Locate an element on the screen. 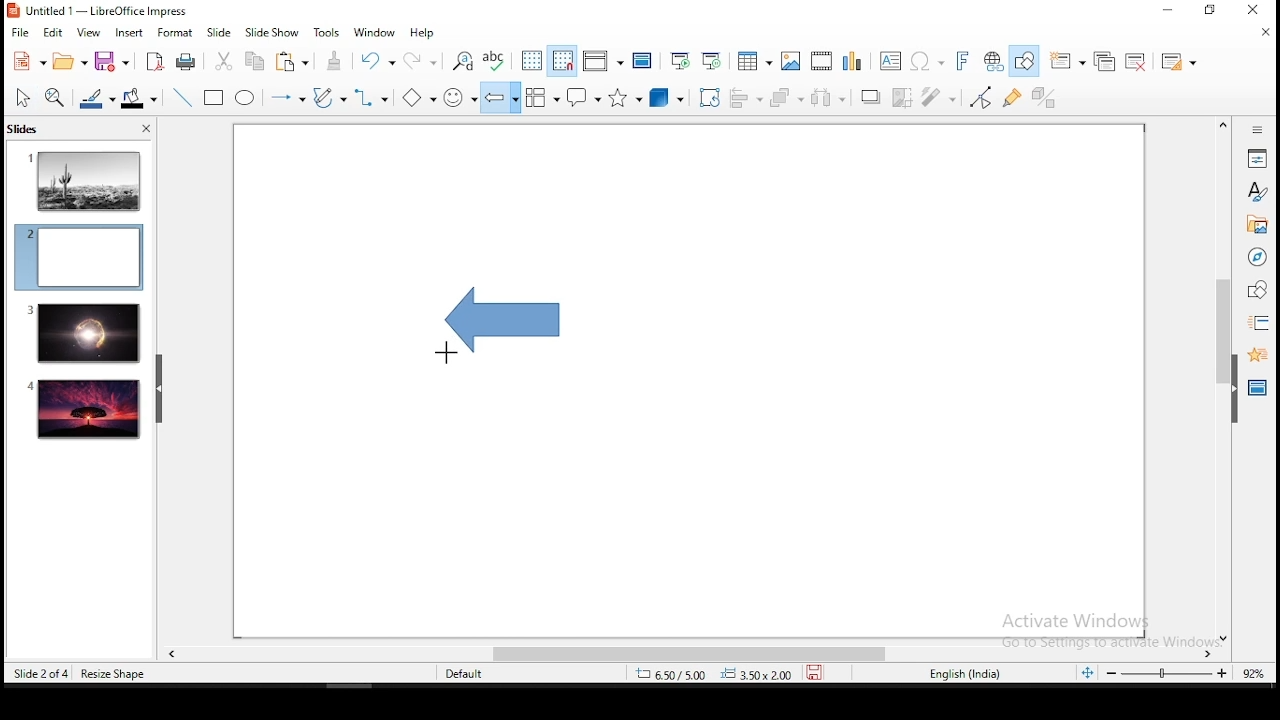 The height and width of the screenshot is (720, 1280). view is located at coordinates (88, 32).